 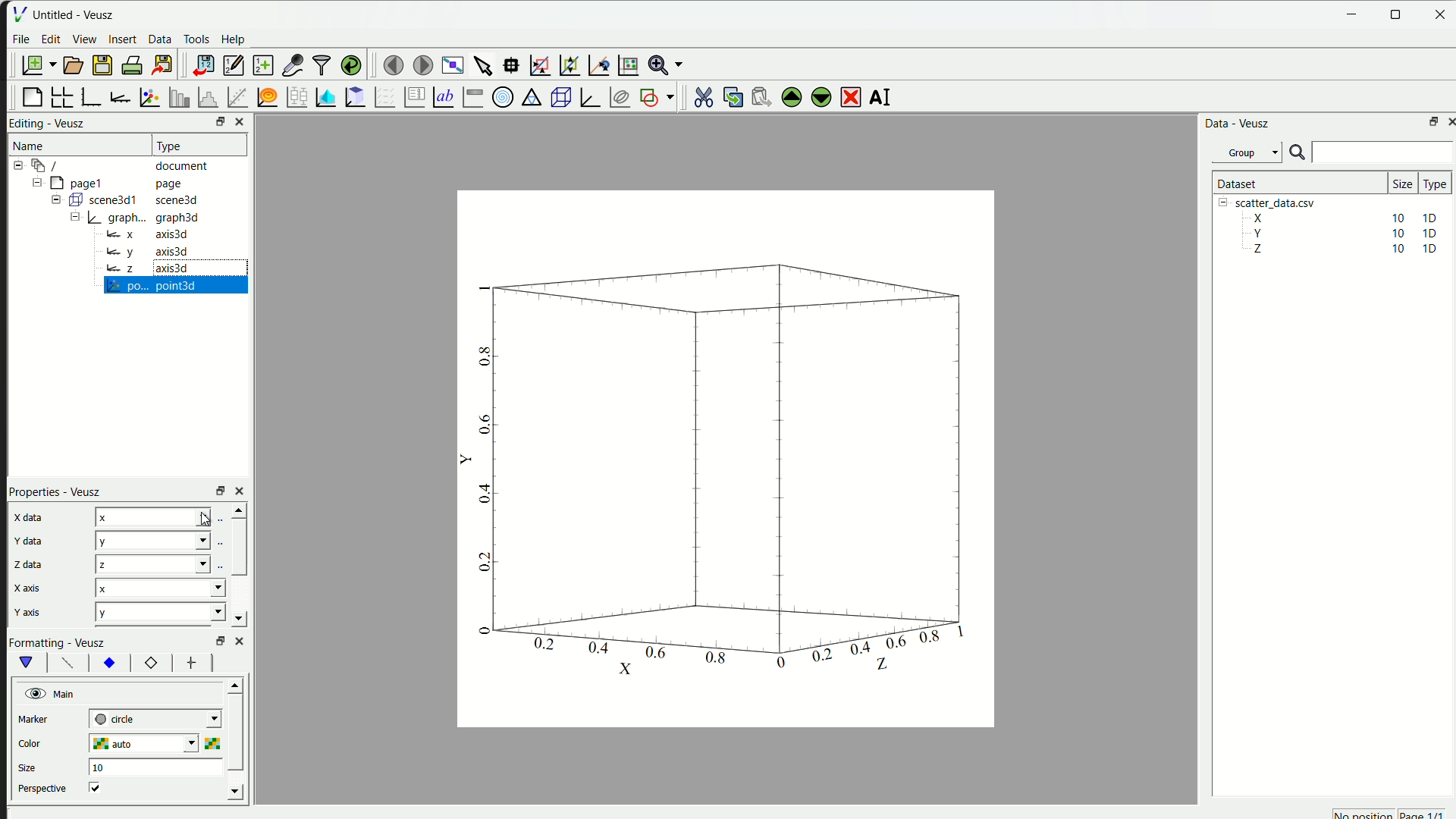 I want to click on print document, so click(x=132, y=65).